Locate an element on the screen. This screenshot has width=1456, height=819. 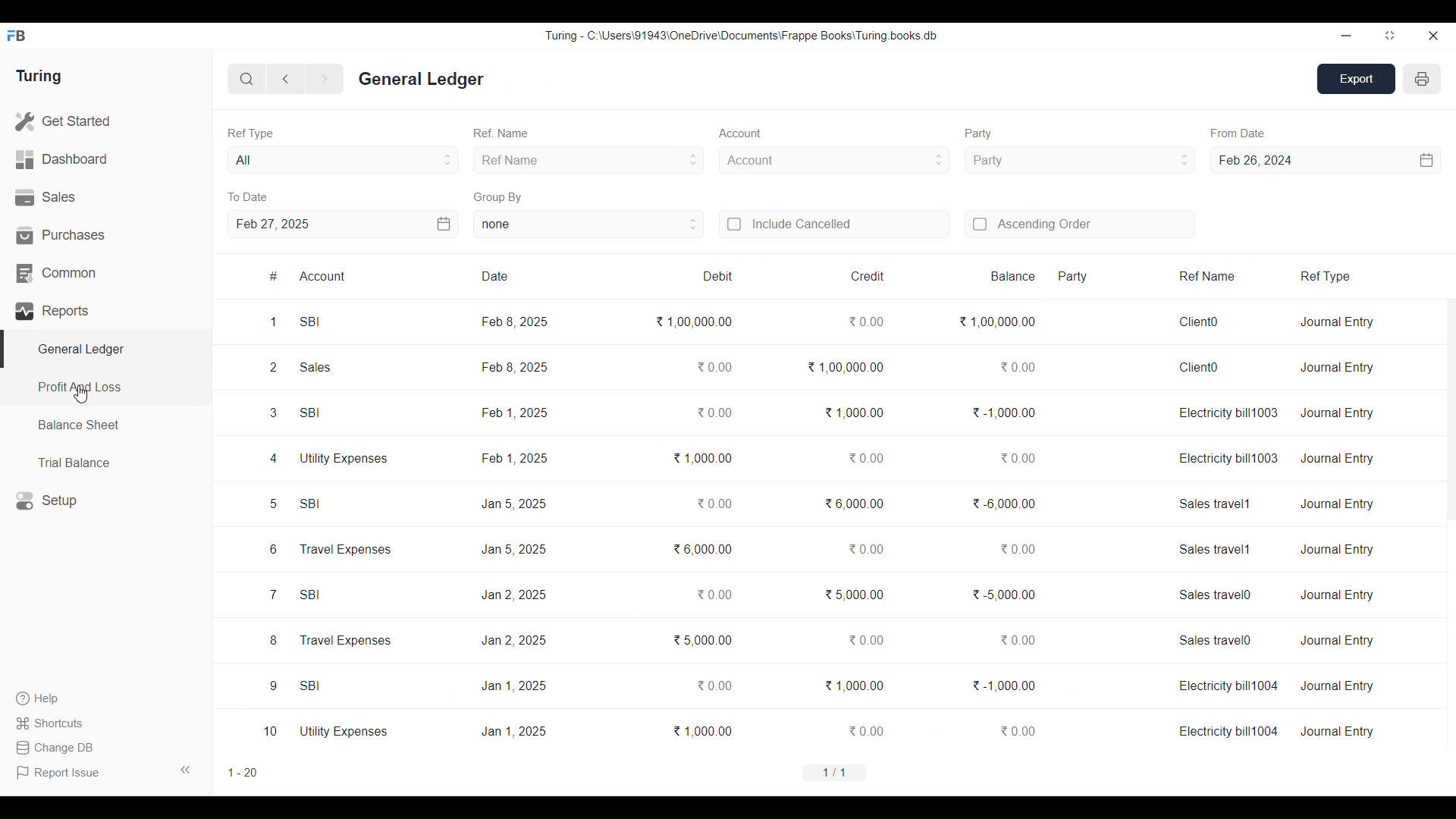
Sales travel1 is located at coordinates (1216, 549).